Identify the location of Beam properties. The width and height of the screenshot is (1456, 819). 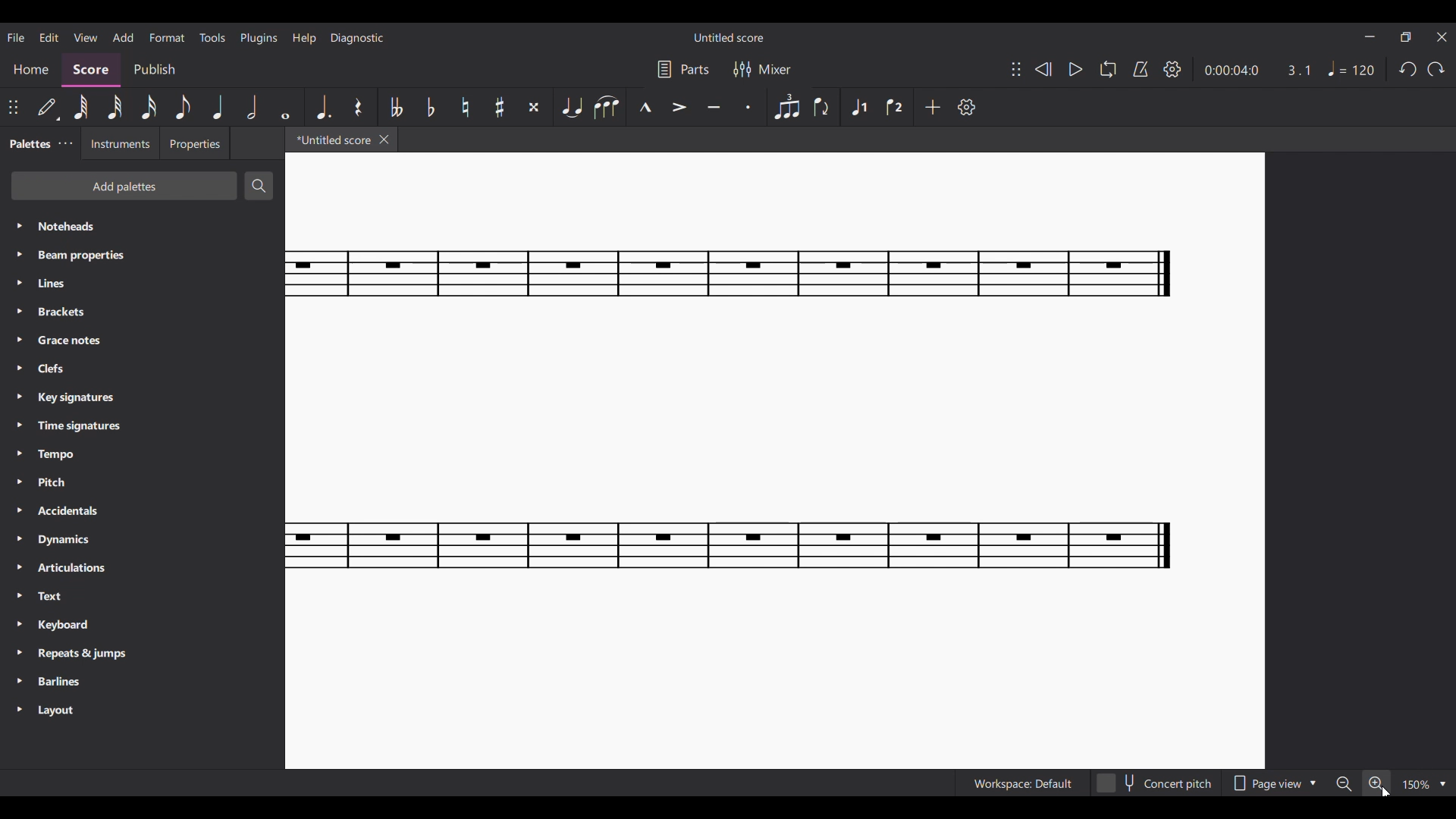
(142, 256).